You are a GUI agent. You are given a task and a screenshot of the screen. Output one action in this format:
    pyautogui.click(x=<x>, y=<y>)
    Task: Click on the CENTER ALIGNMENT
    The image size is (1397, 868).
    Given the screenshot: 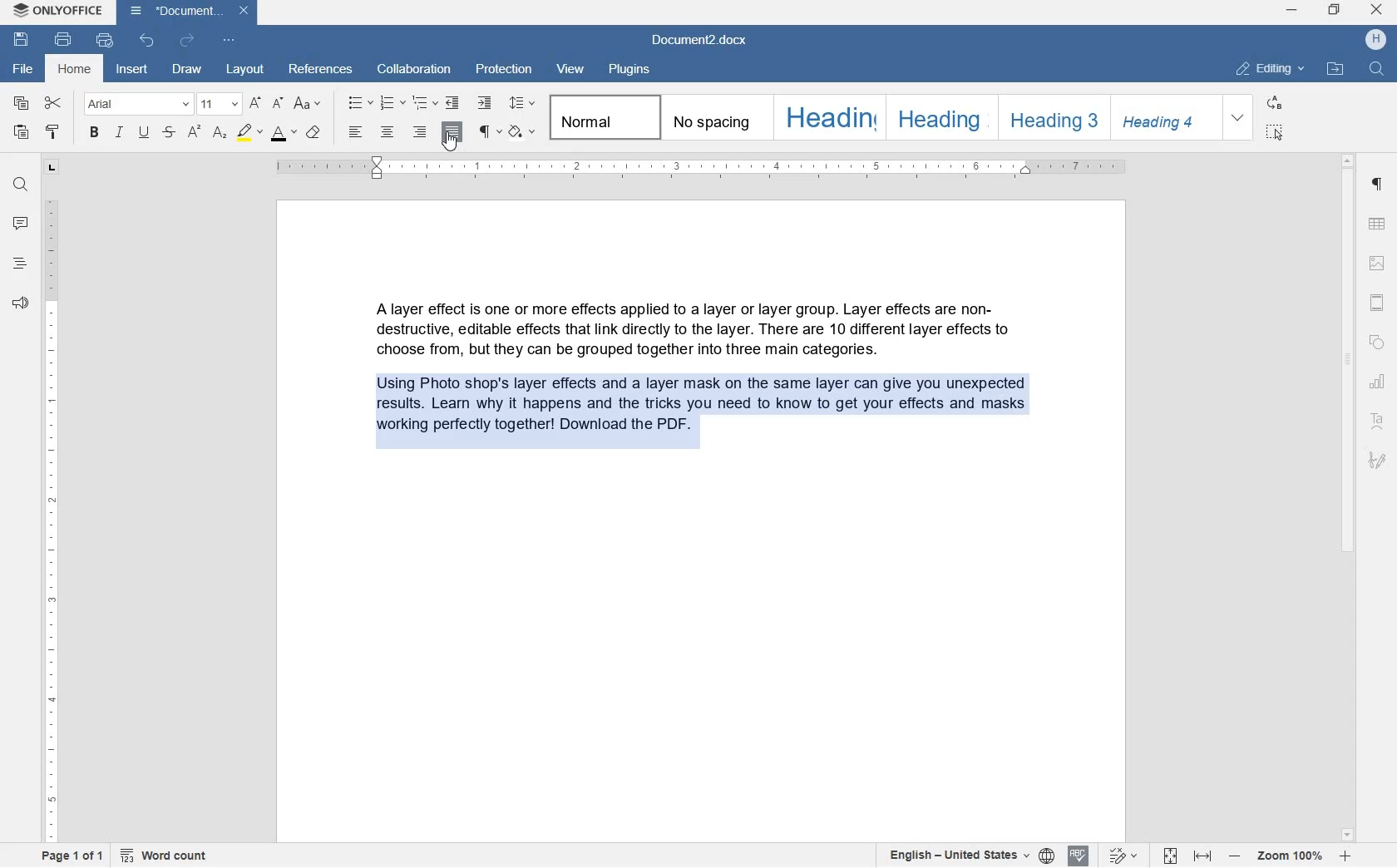 What is the action you would take?
    pyautogui.click(x=388, y=132)
    